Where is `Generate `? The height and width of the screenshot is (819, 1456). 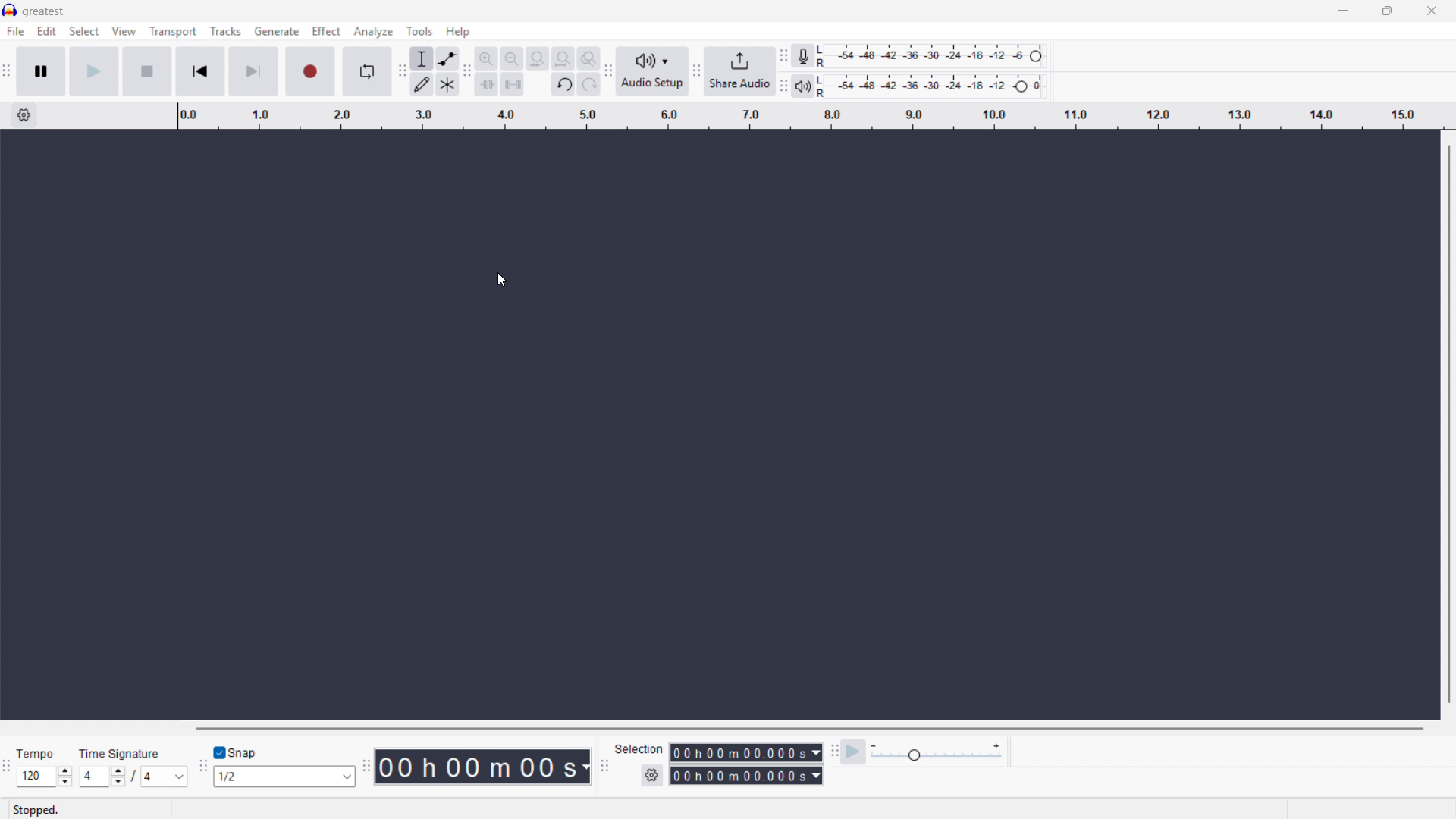 Generate  is located at coordinates (277, 31).